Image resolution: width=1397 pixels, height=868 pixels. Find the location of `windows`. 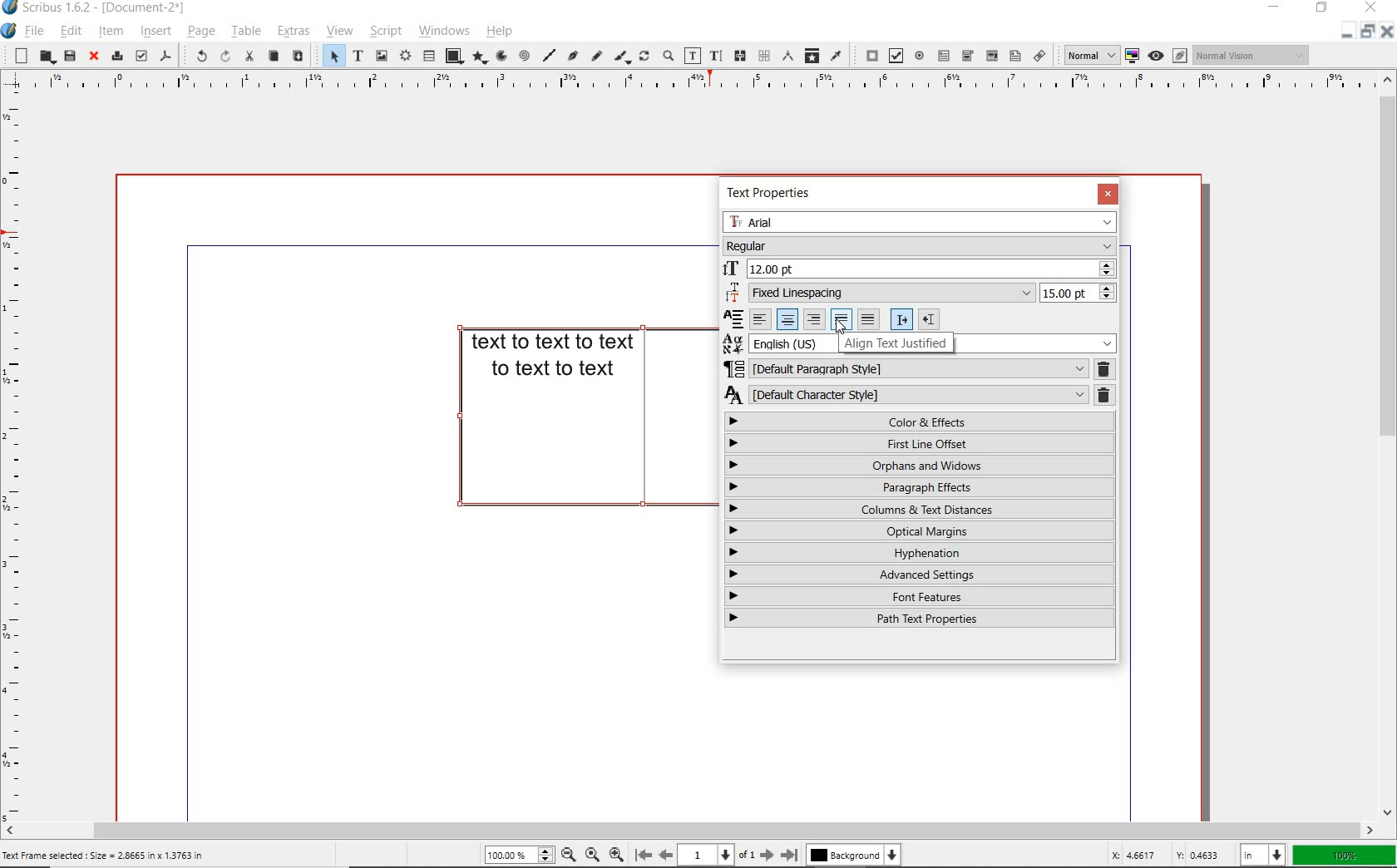

windows is located at coordinates (443, 31).